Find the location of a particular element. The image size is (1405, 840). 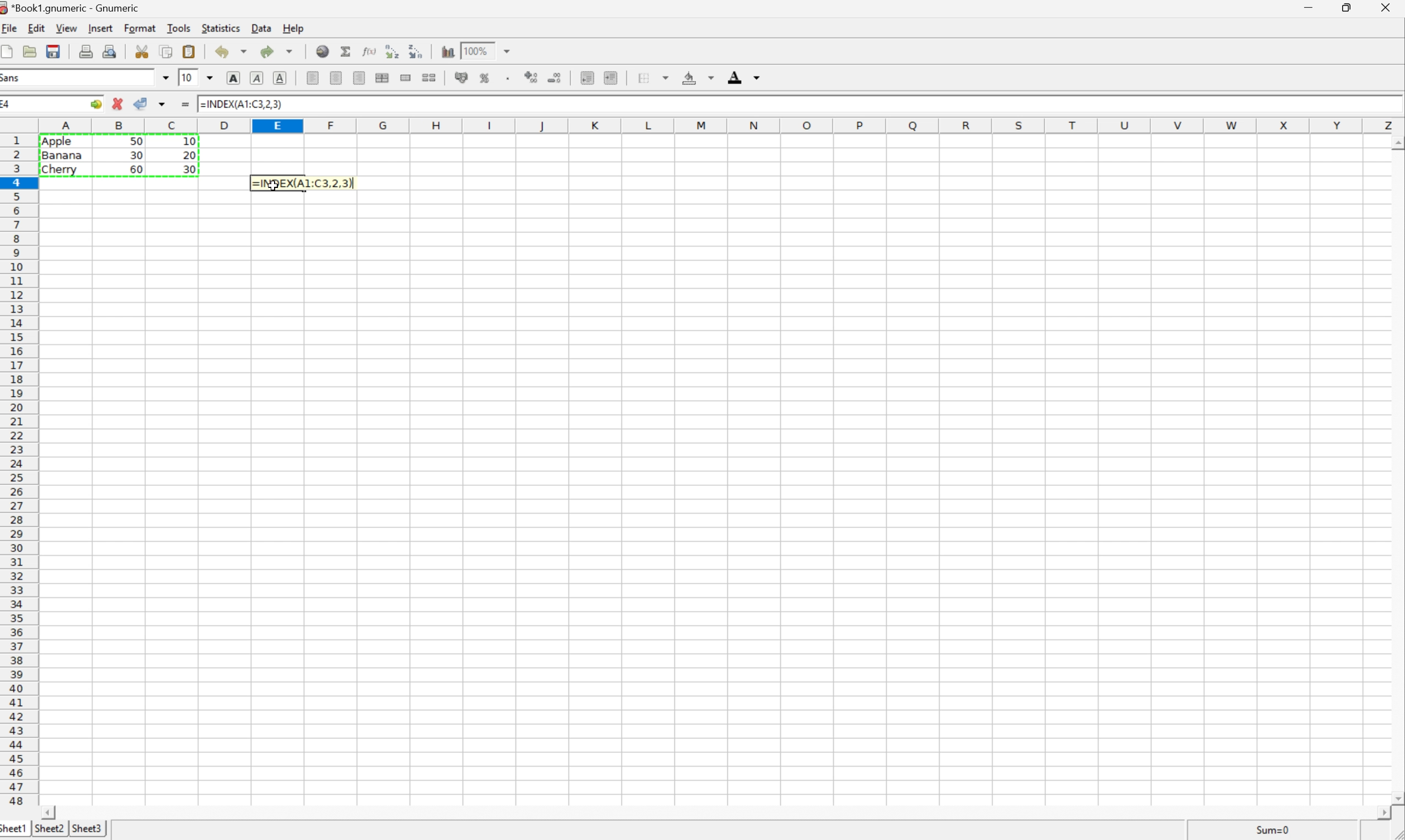

copy is located at coordinates (166, 51).